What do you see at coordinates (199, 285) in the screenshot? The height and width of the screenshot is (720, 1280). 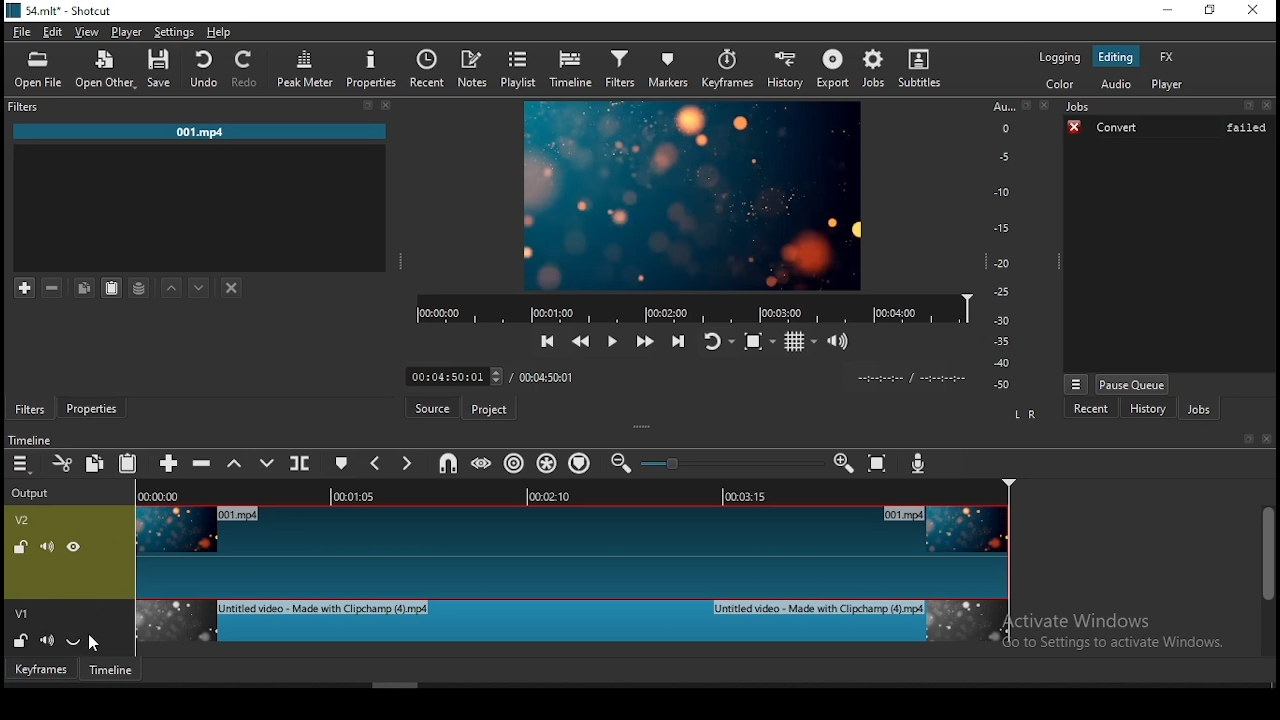 I see `move filter down` at bounding box center [199, 285].